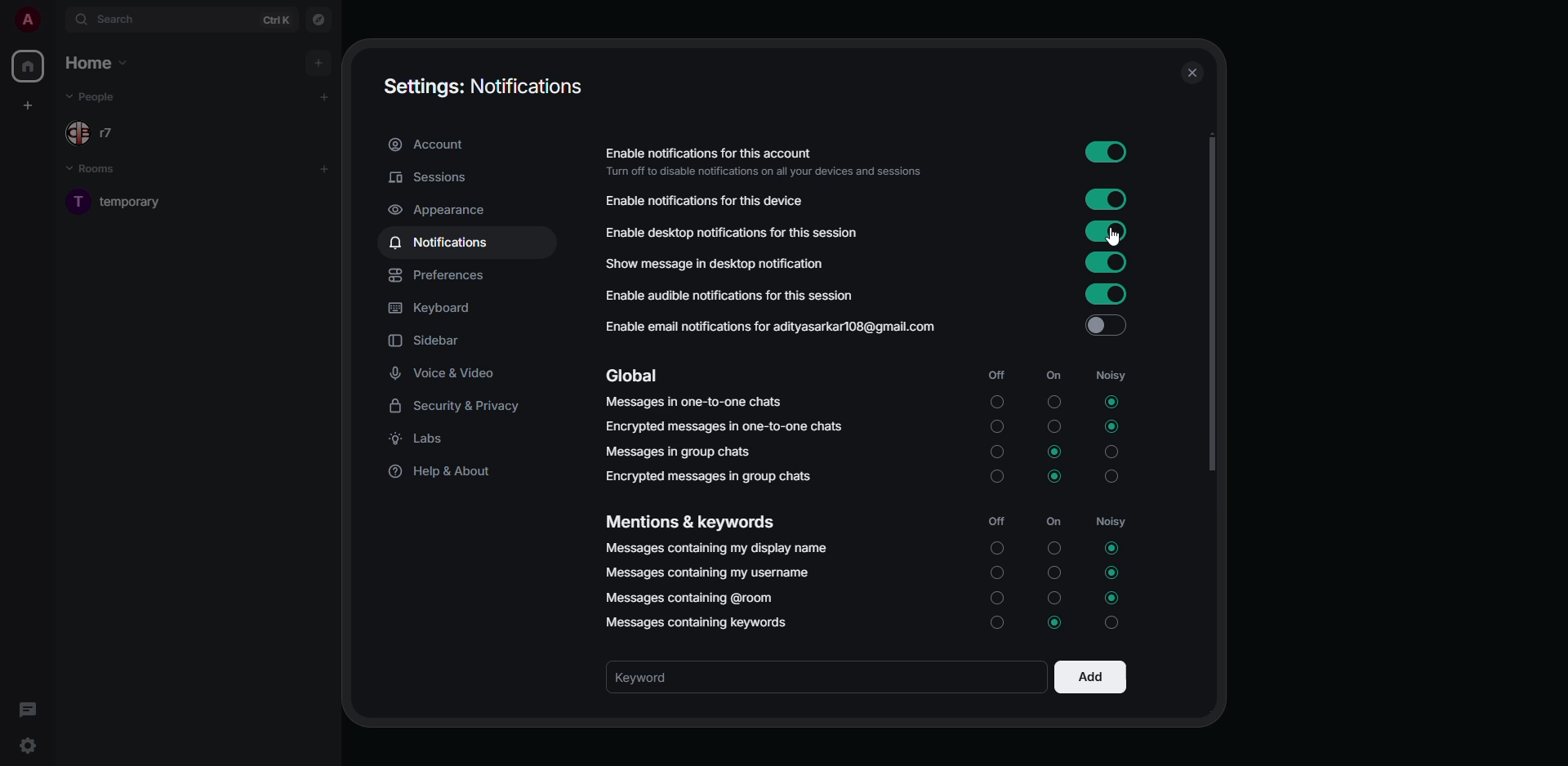  I want to click on turn off, so click(1054, 403).